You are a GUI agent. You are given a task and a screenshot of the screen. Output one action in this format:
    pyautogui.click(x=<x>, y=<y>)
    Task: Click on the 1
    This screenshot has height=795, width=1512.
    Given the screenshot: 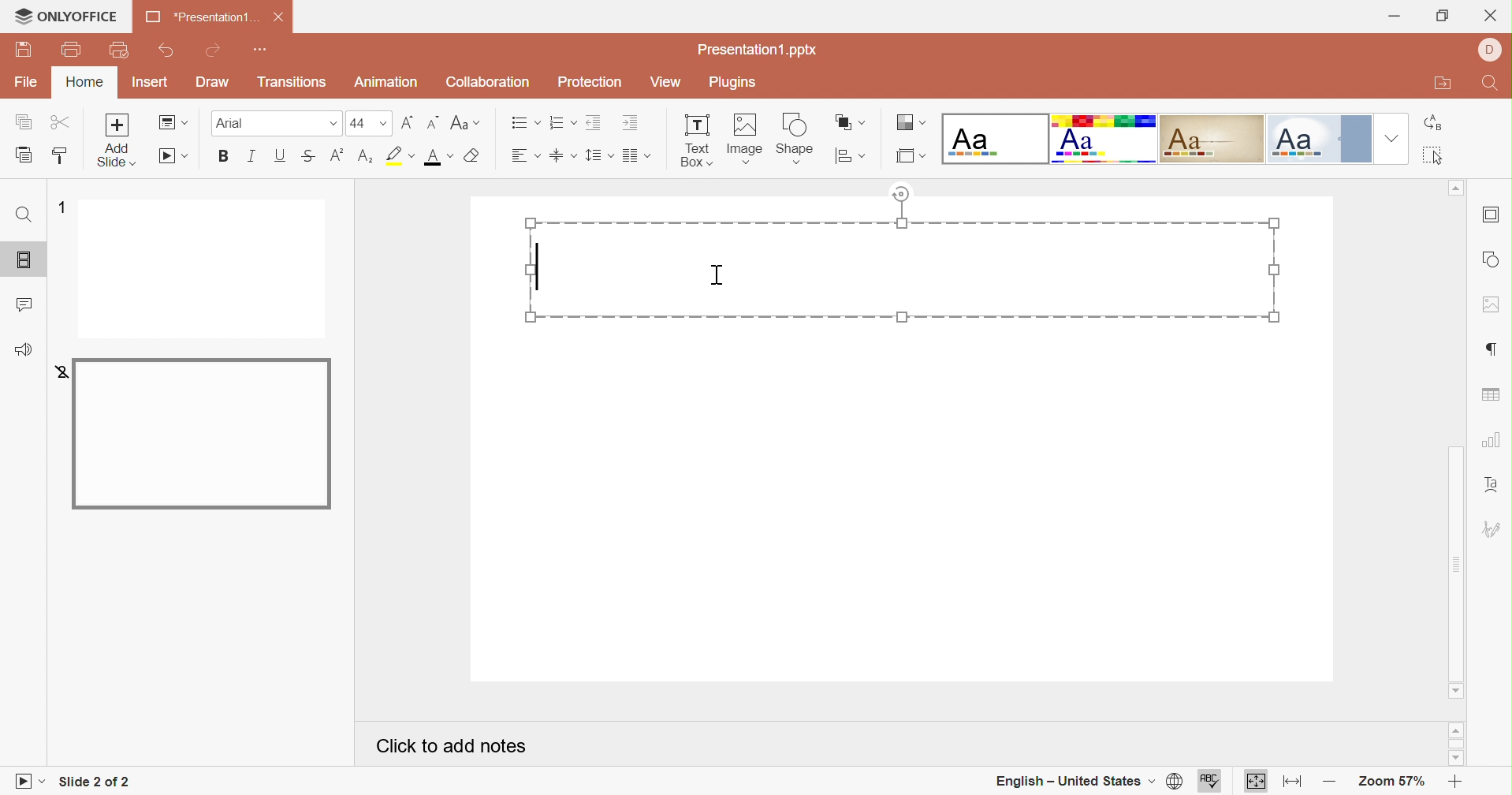 What is the action you would take?
    pyautogui.click(x=60, y=206)
    